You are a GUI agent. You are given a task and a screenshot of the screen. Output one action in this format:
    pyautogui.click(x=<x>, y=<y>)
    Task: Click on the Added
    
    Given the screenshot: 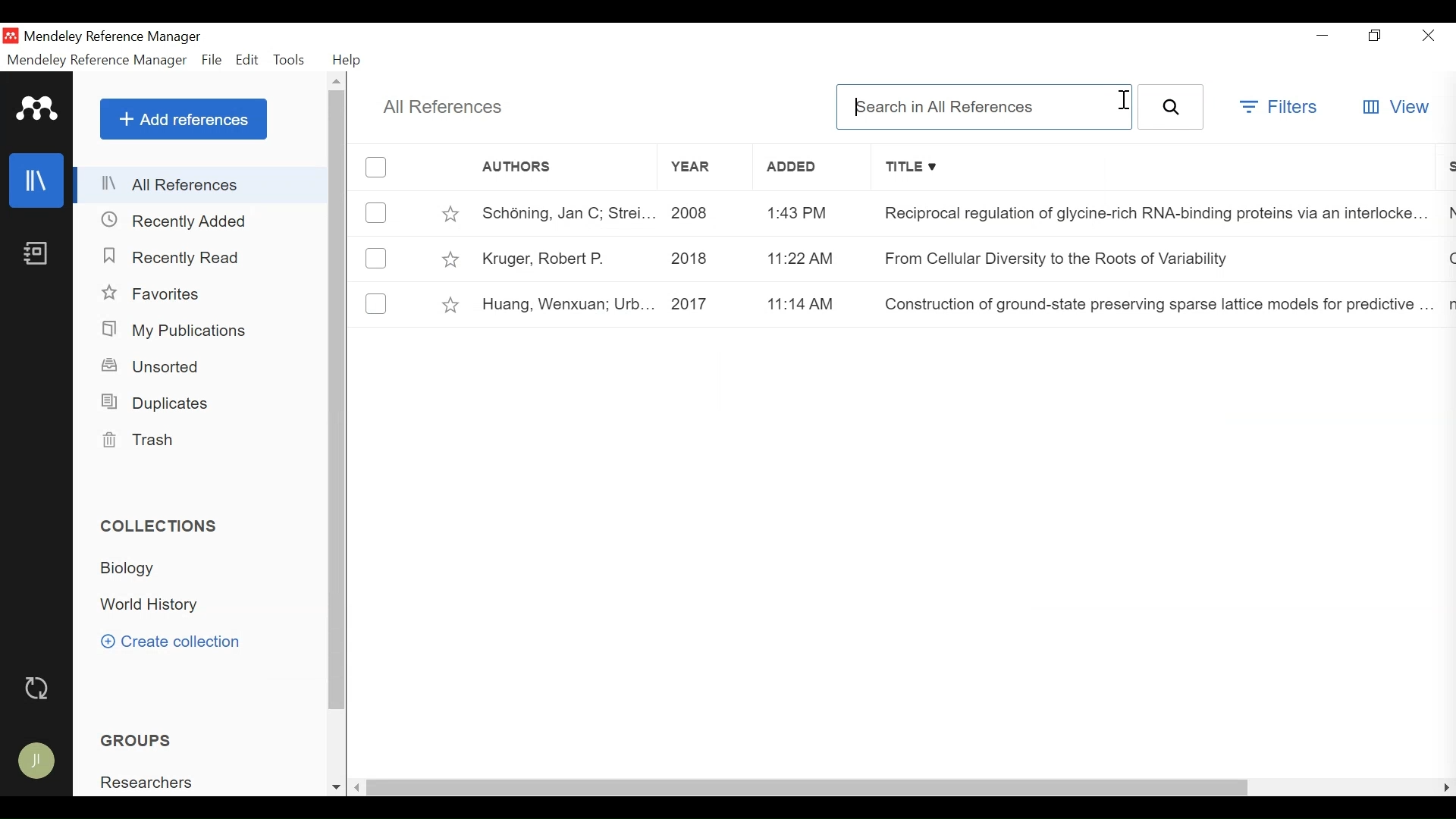 What is the action you would take?
    pyautogui.click(x=808, y=166)
    